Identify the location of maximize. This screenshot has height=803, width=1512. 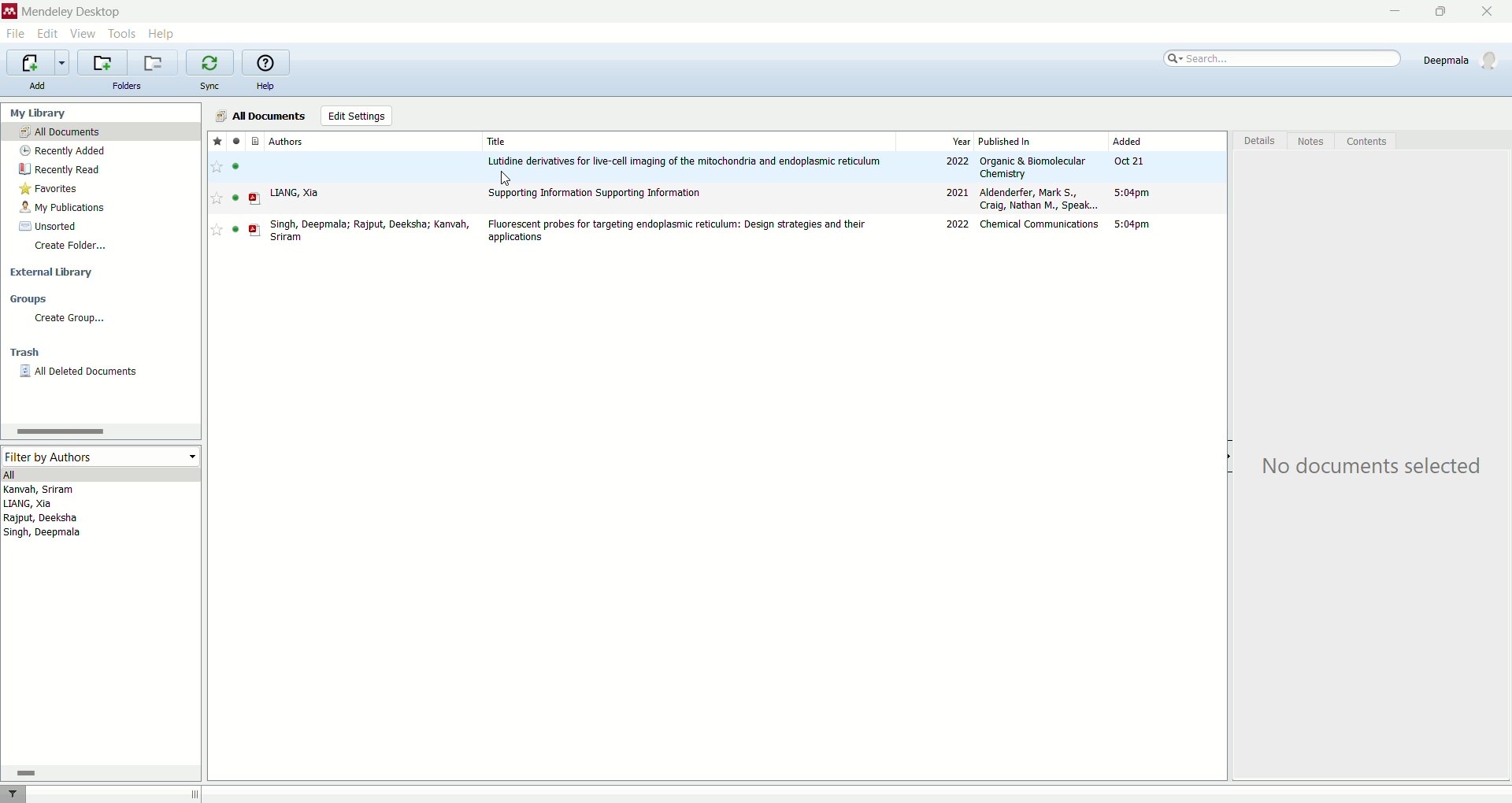
(1447, 12).